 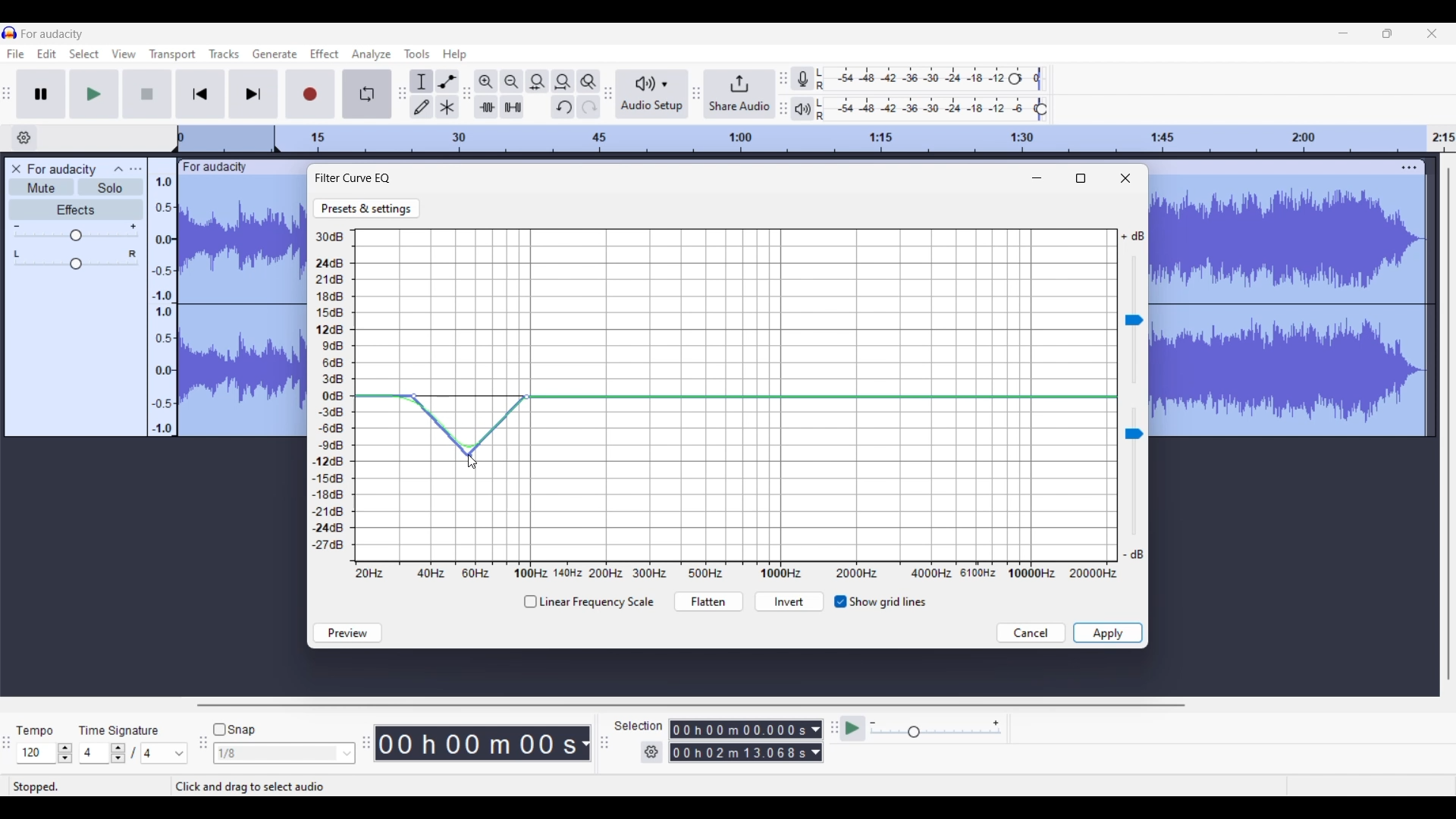 I want to click on Delete track, so click(x=18, y=169).